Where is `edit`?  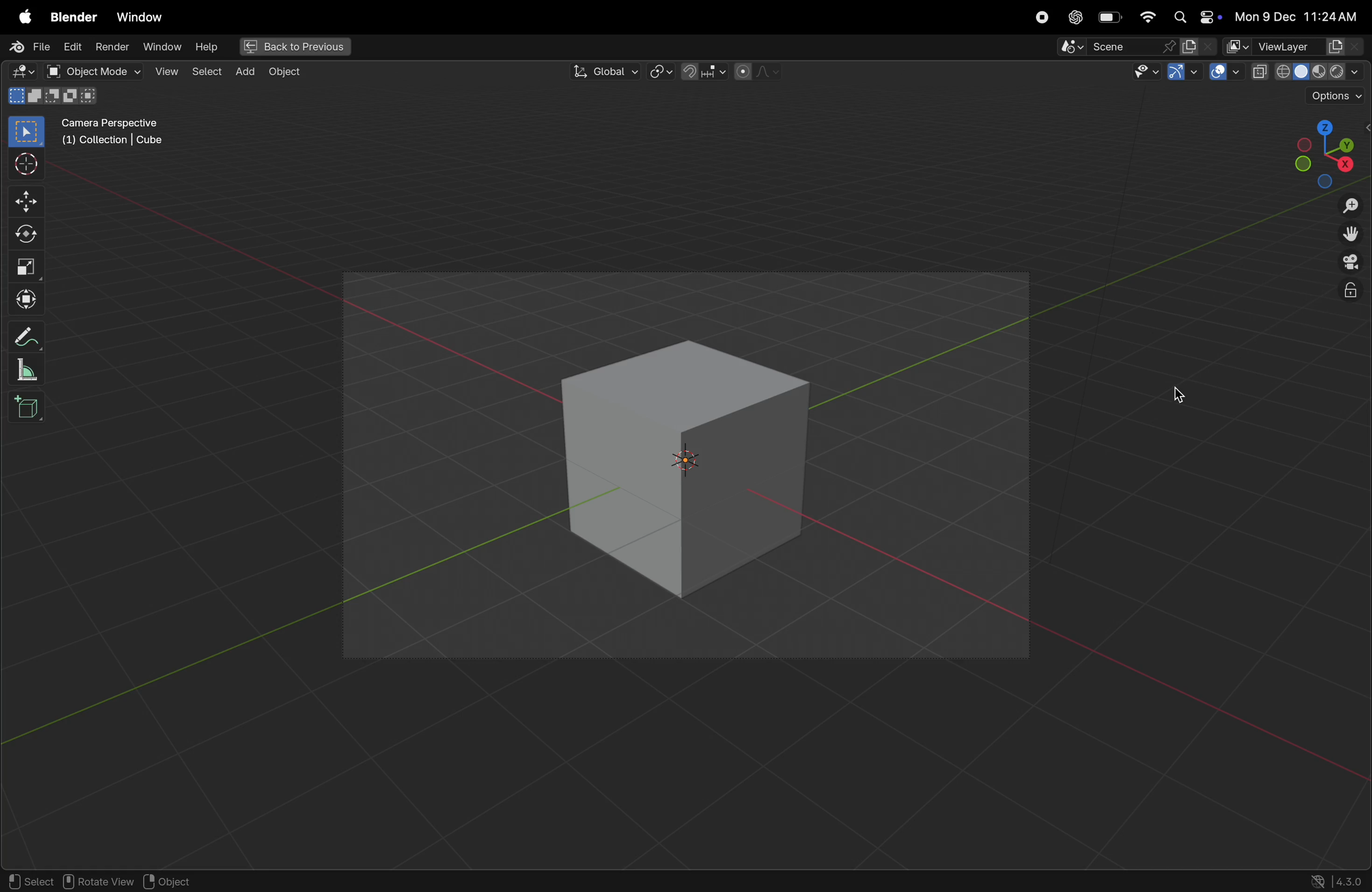 edit is located at coordinates (70, 46).